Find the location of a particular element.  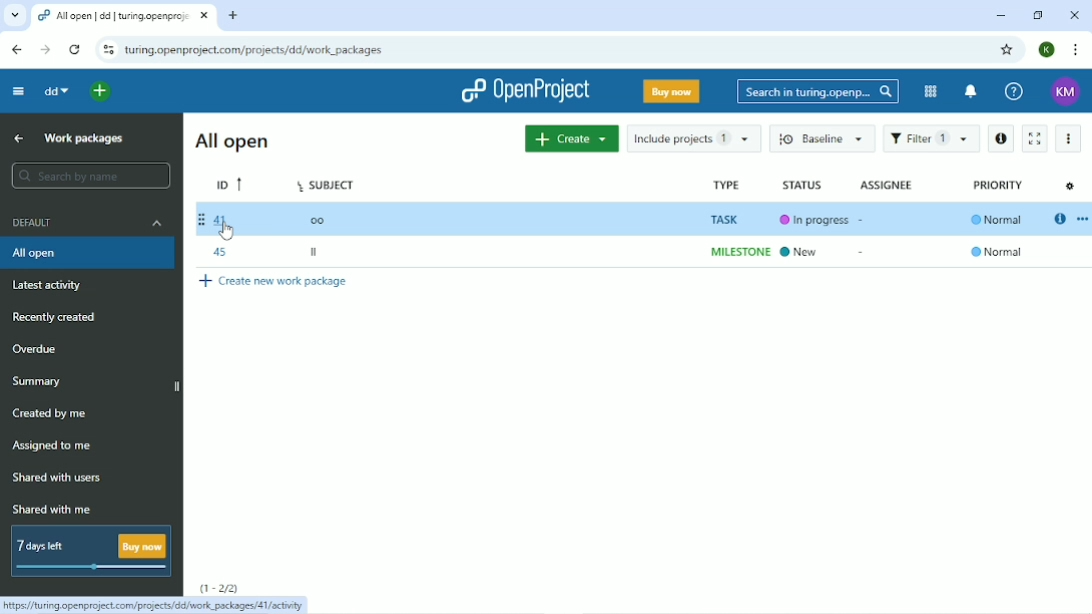

Back is located at coordinates (15, 48).